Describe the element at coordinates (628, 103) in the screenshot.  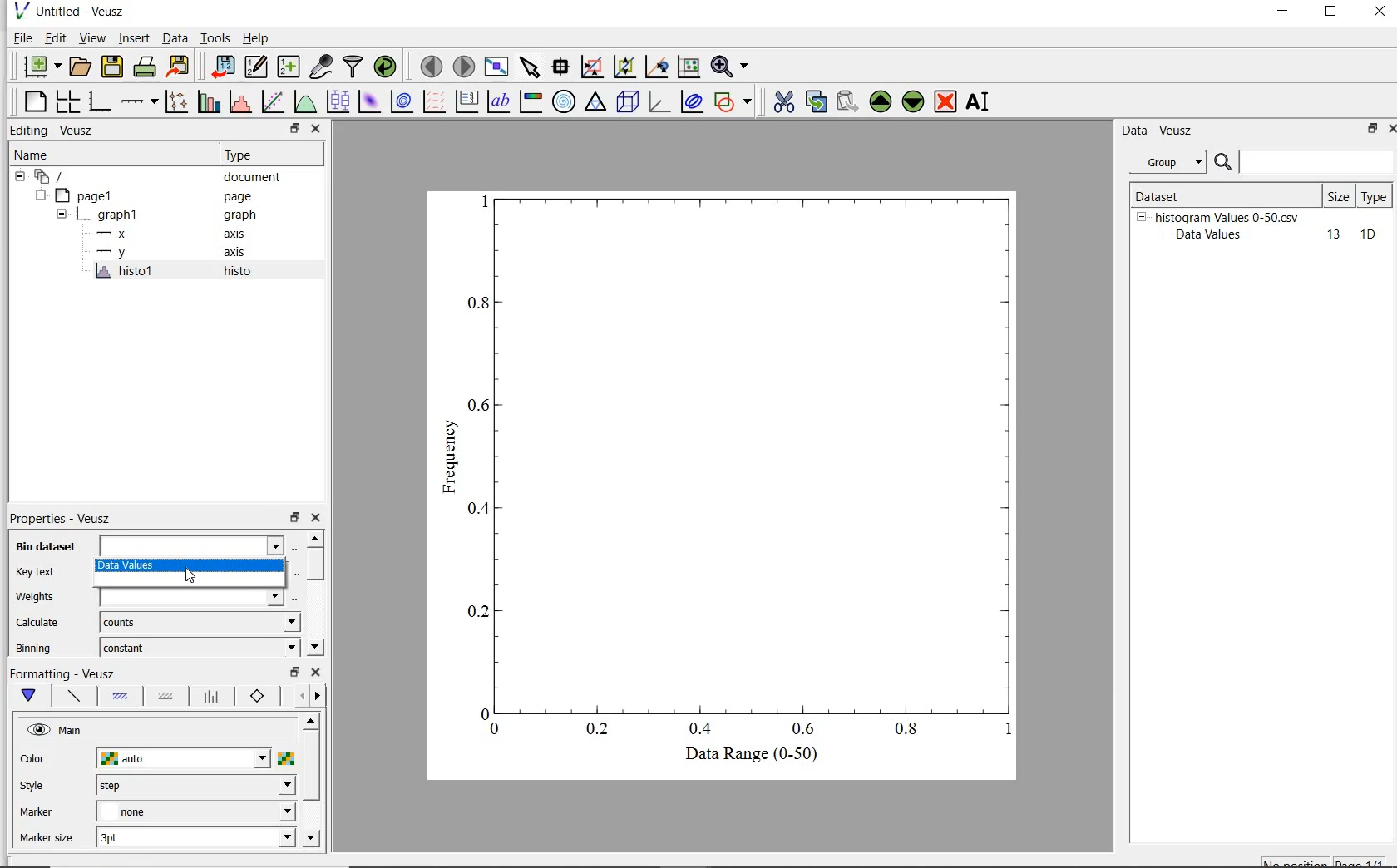
I see `3d scene` at that location.